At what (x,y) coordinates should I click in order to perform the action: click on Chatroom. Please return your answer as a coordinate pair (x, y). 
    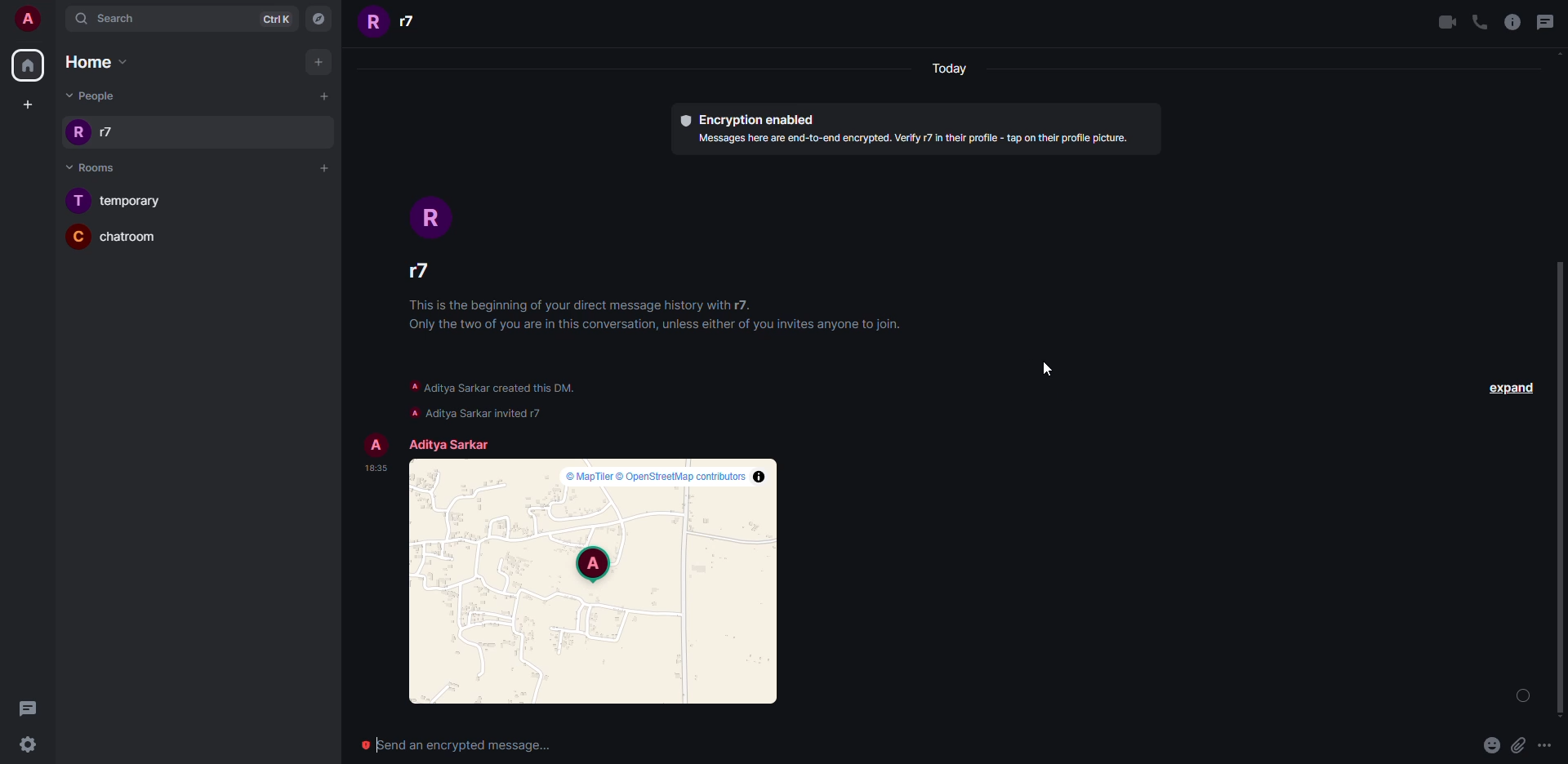
    Looking at the image, I should click on (114, 238).